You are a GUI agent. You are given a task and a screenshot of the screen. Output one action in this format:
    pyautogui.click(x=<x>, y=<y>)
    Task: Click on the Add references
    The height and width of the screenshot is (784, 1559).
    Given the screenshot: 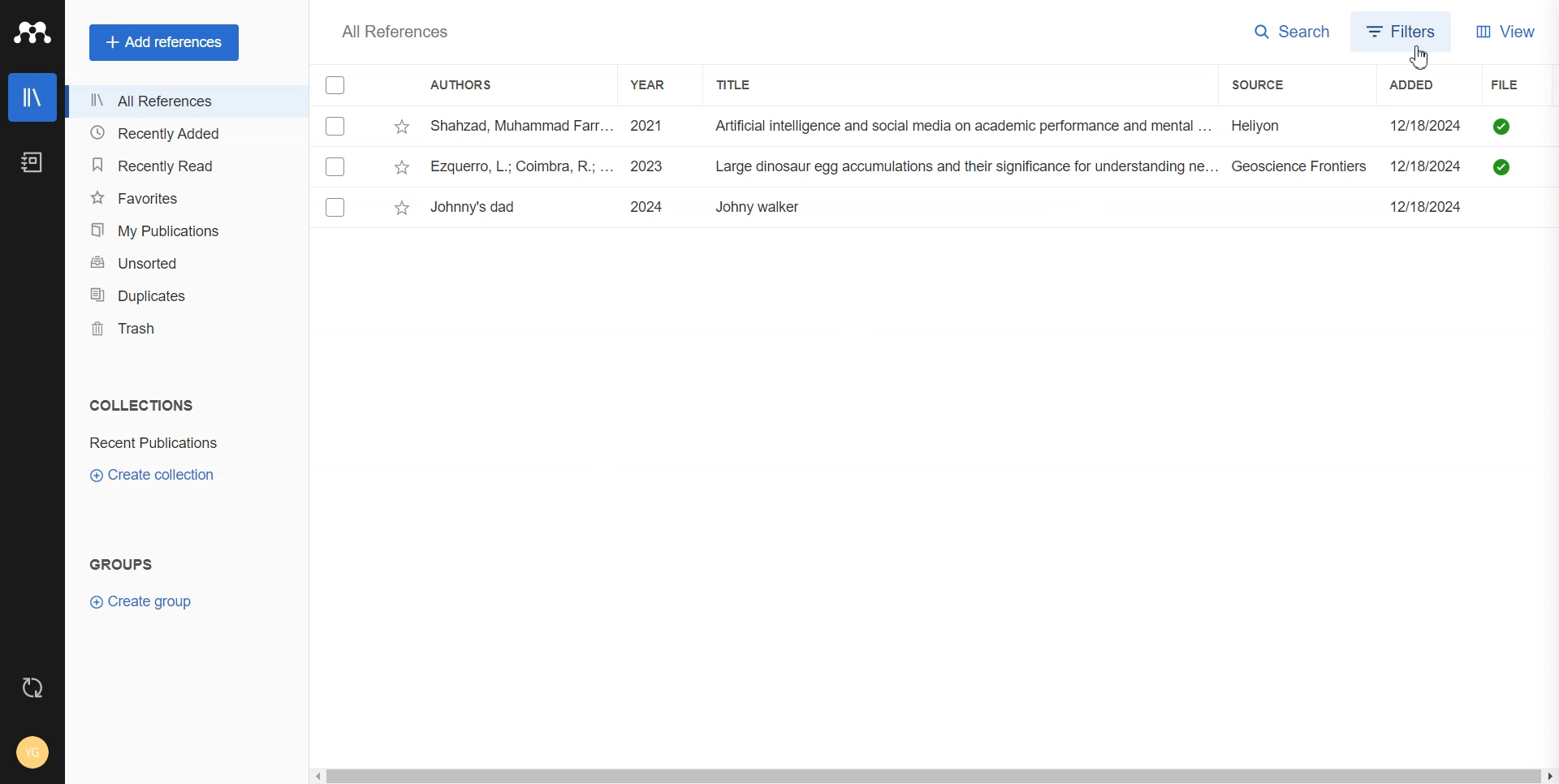 What is the action you would take?
    pyautogui.click(x=164, y=42)
    